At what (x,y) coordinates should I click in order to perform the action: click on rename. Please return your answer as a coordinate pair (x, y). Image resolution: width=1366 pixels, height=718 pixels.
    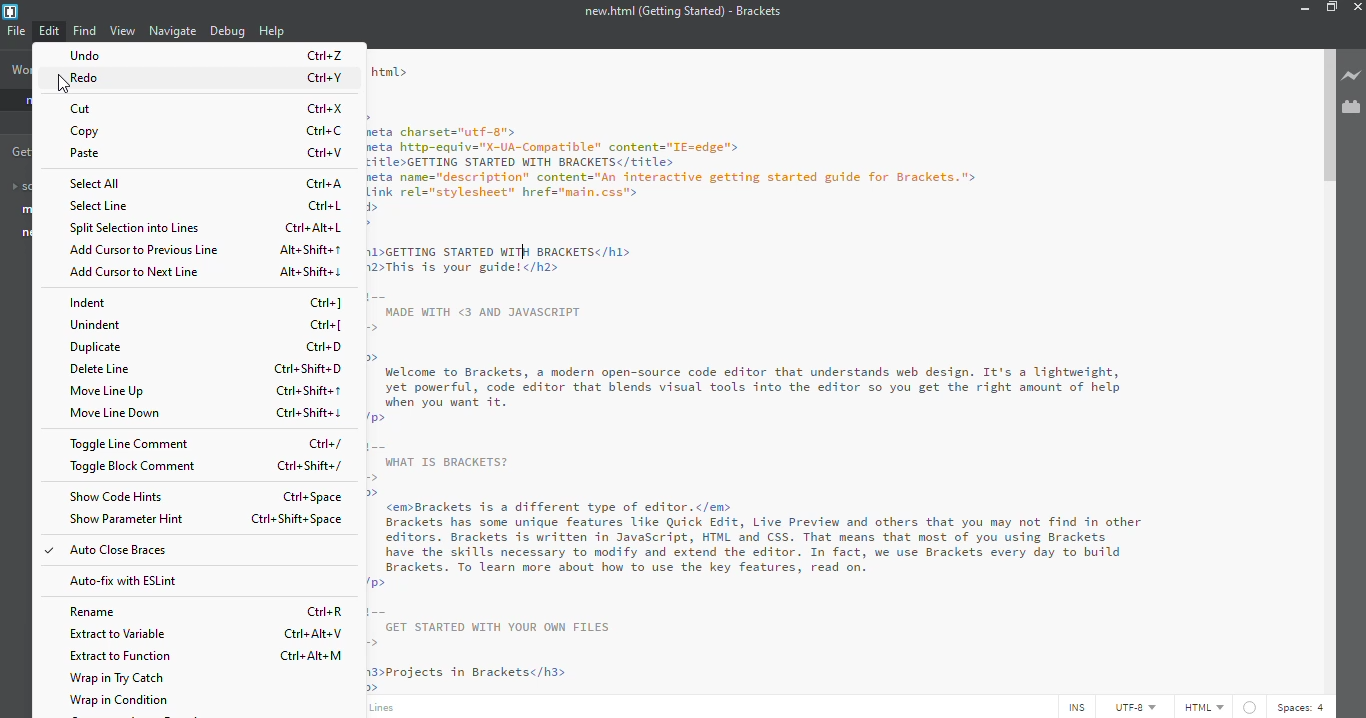
    Looking at the image, I should click on (92, 612).